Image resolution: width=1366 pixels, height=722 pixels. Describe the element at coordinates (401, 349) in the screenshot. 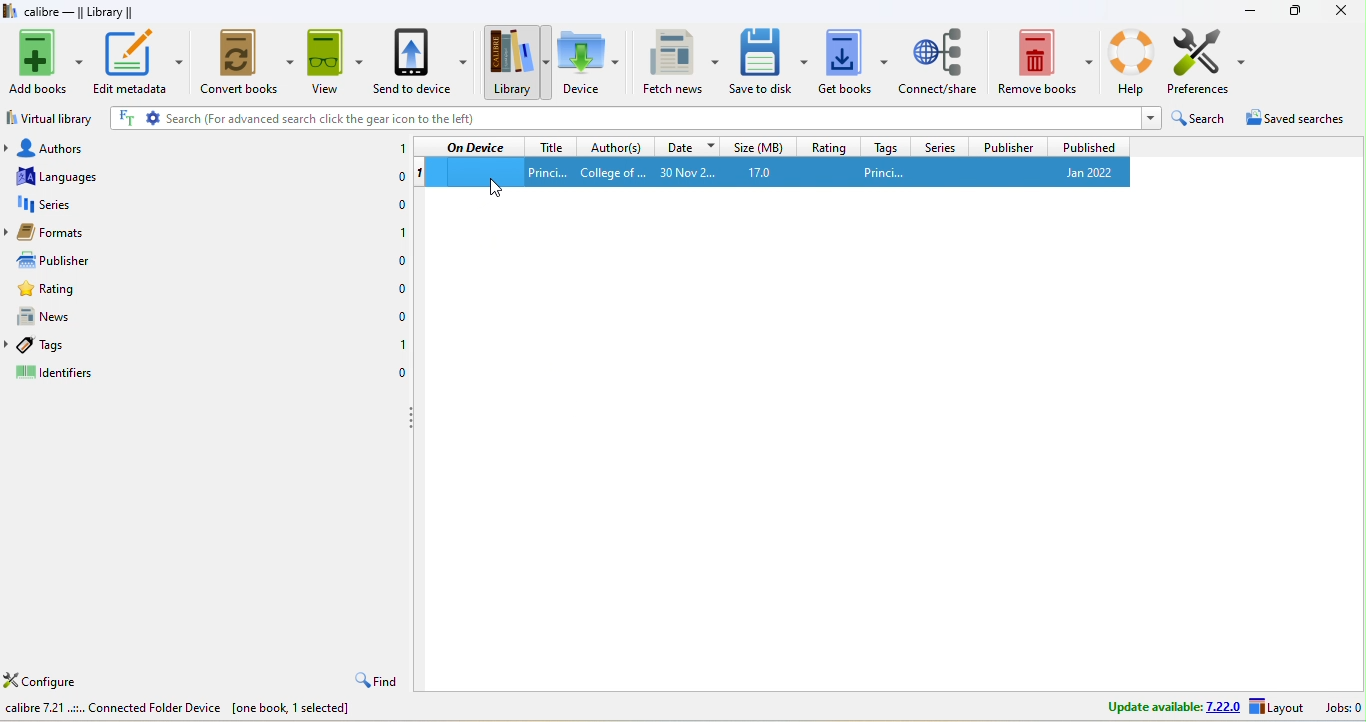

I see `1` at that location.